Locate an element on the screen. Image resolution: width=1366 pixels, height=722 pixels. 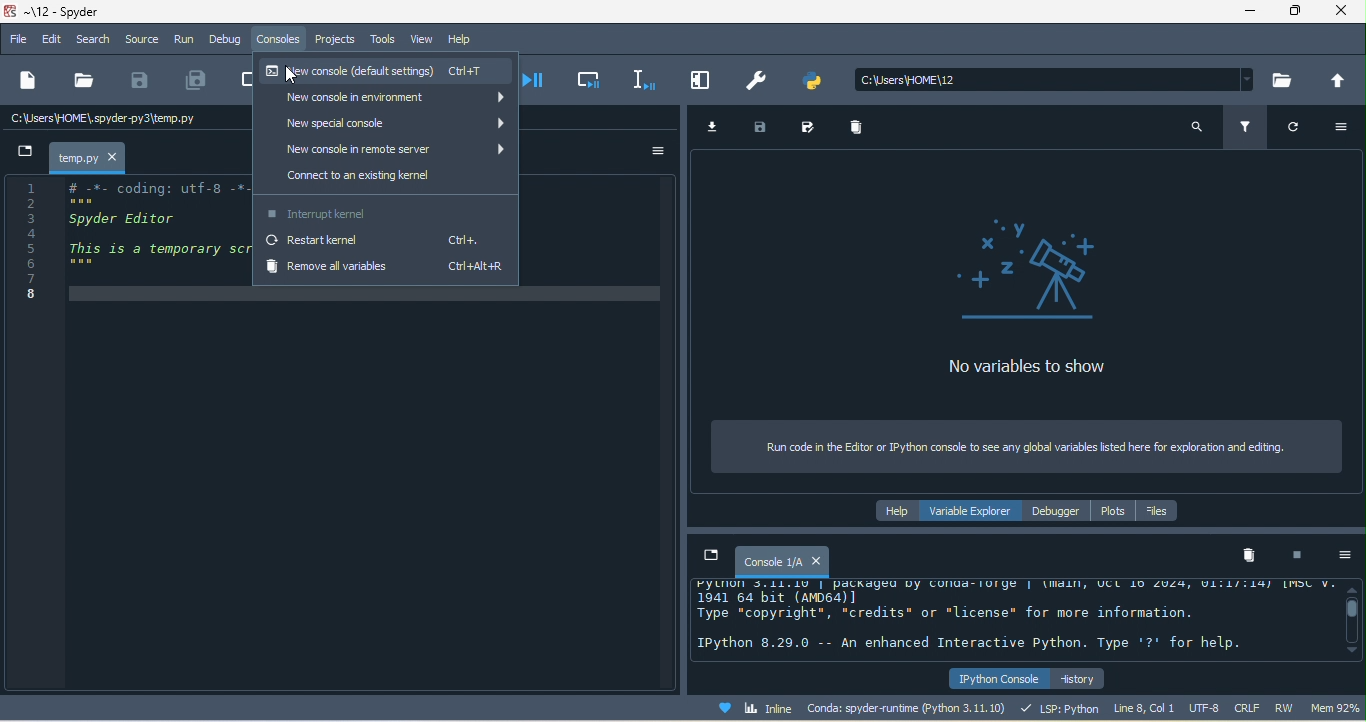
source is located at coordinates (142, 39).